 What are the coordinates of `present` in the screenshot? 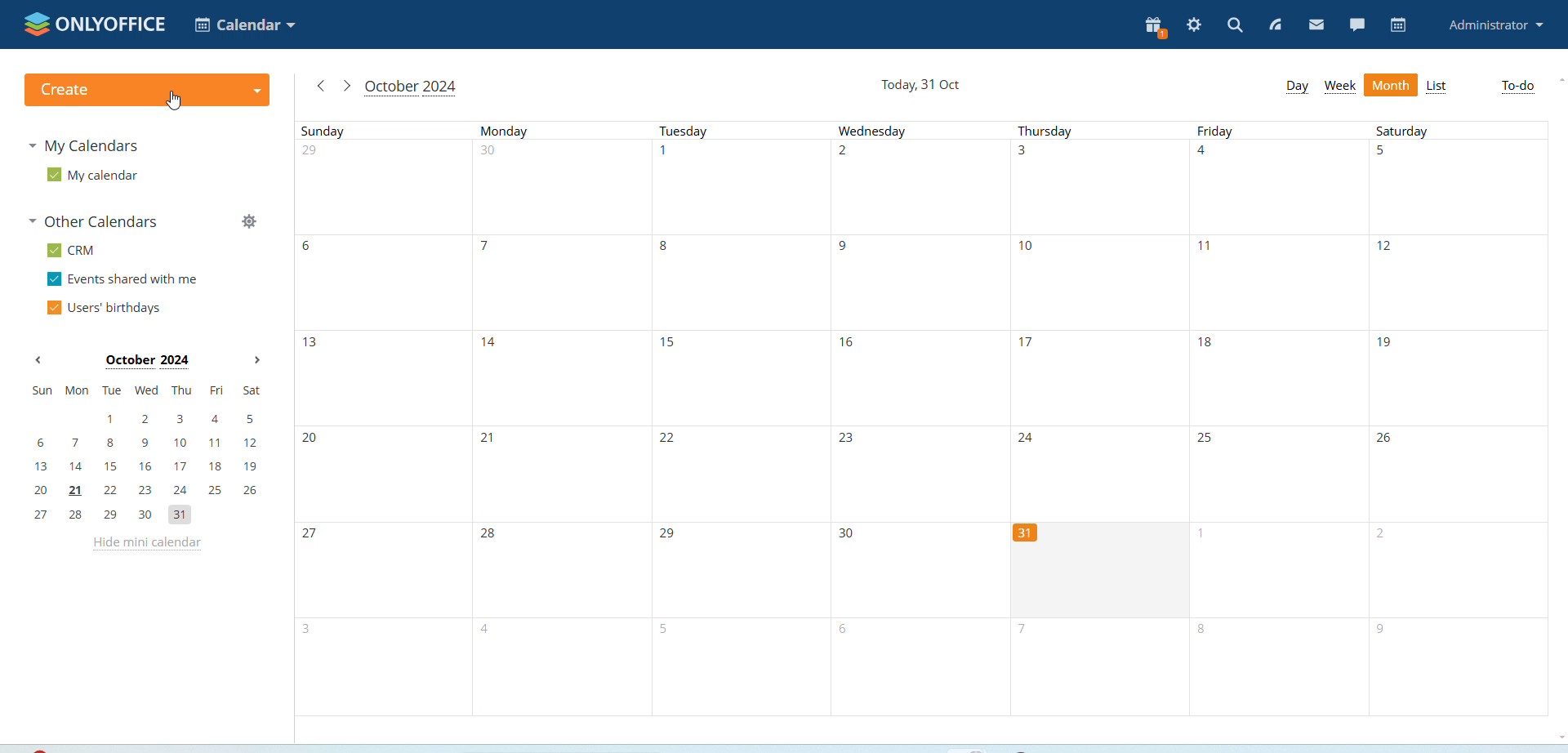 It's located at (1156, 28).